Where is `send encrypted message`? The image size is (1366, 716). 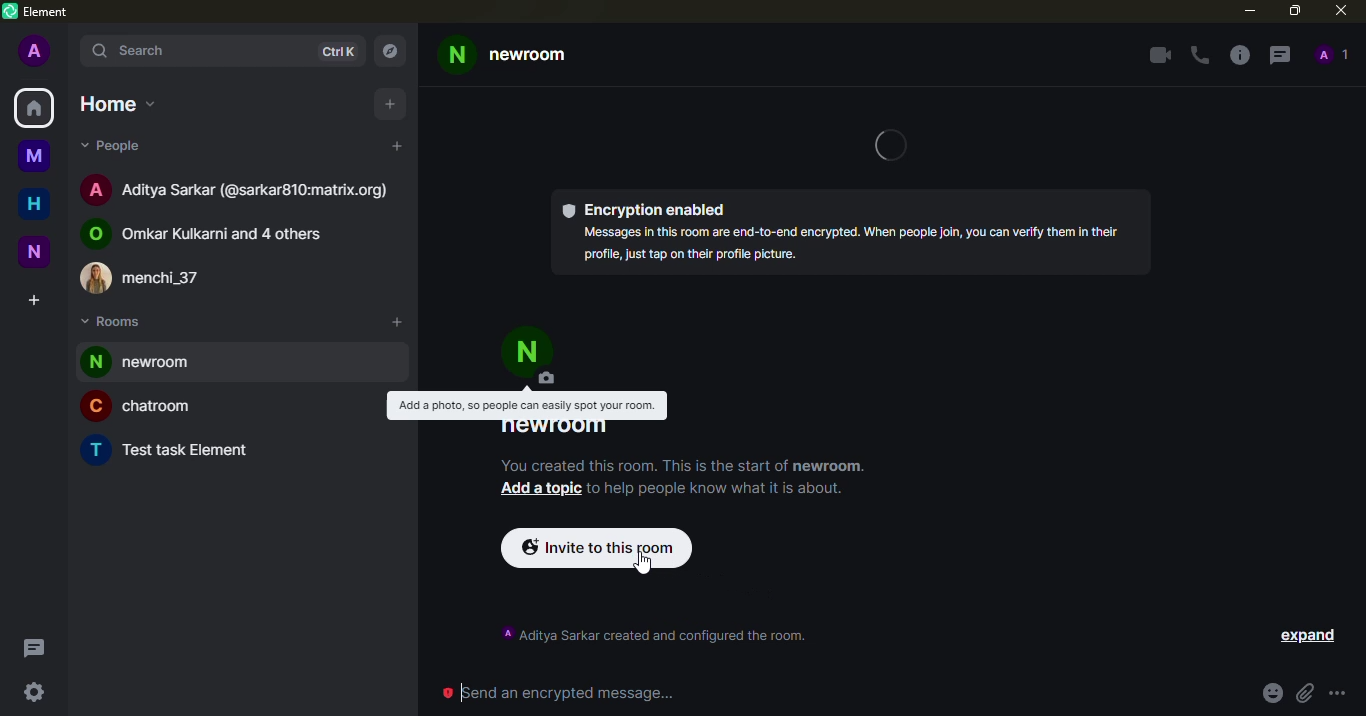
send encrypted message is located at coordinates (559, 694).